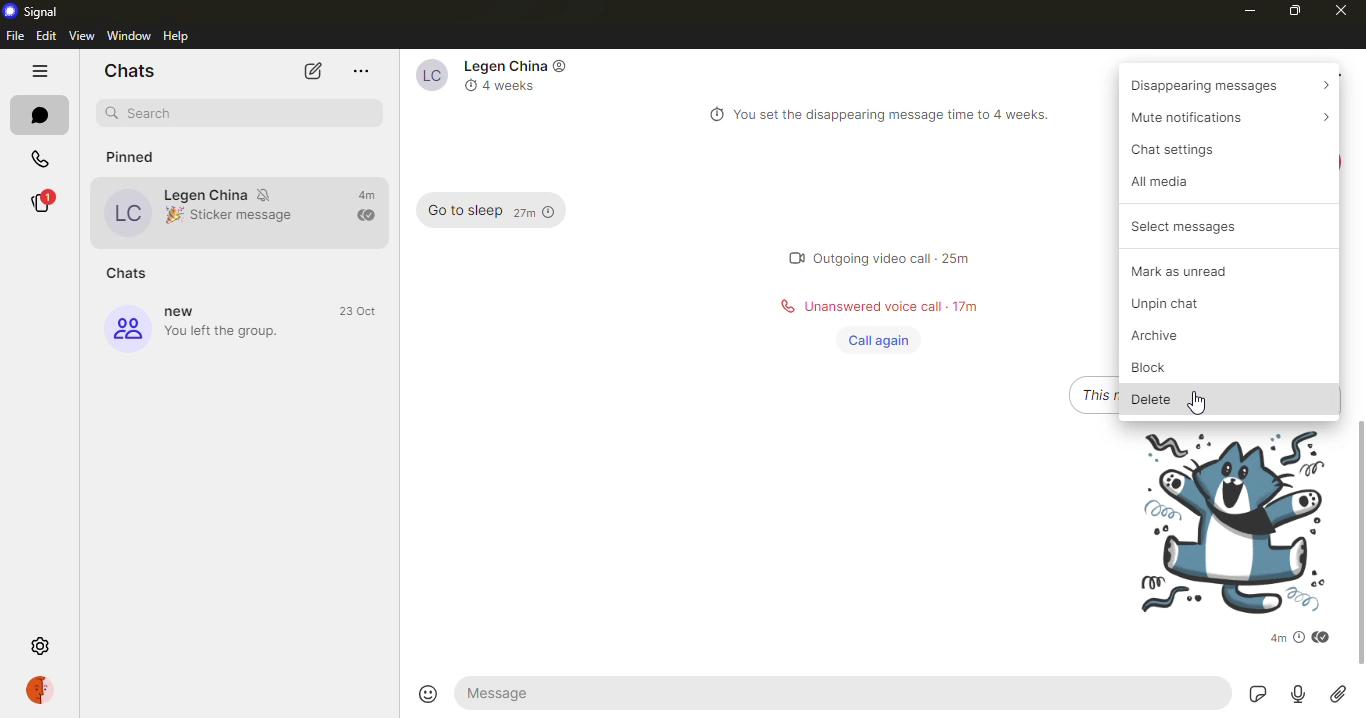 This screenshot has width=1366, height=718. What do you see at coordinates (82, 35) in the screenshot?
I see `view` at bounding box center [82, 35].